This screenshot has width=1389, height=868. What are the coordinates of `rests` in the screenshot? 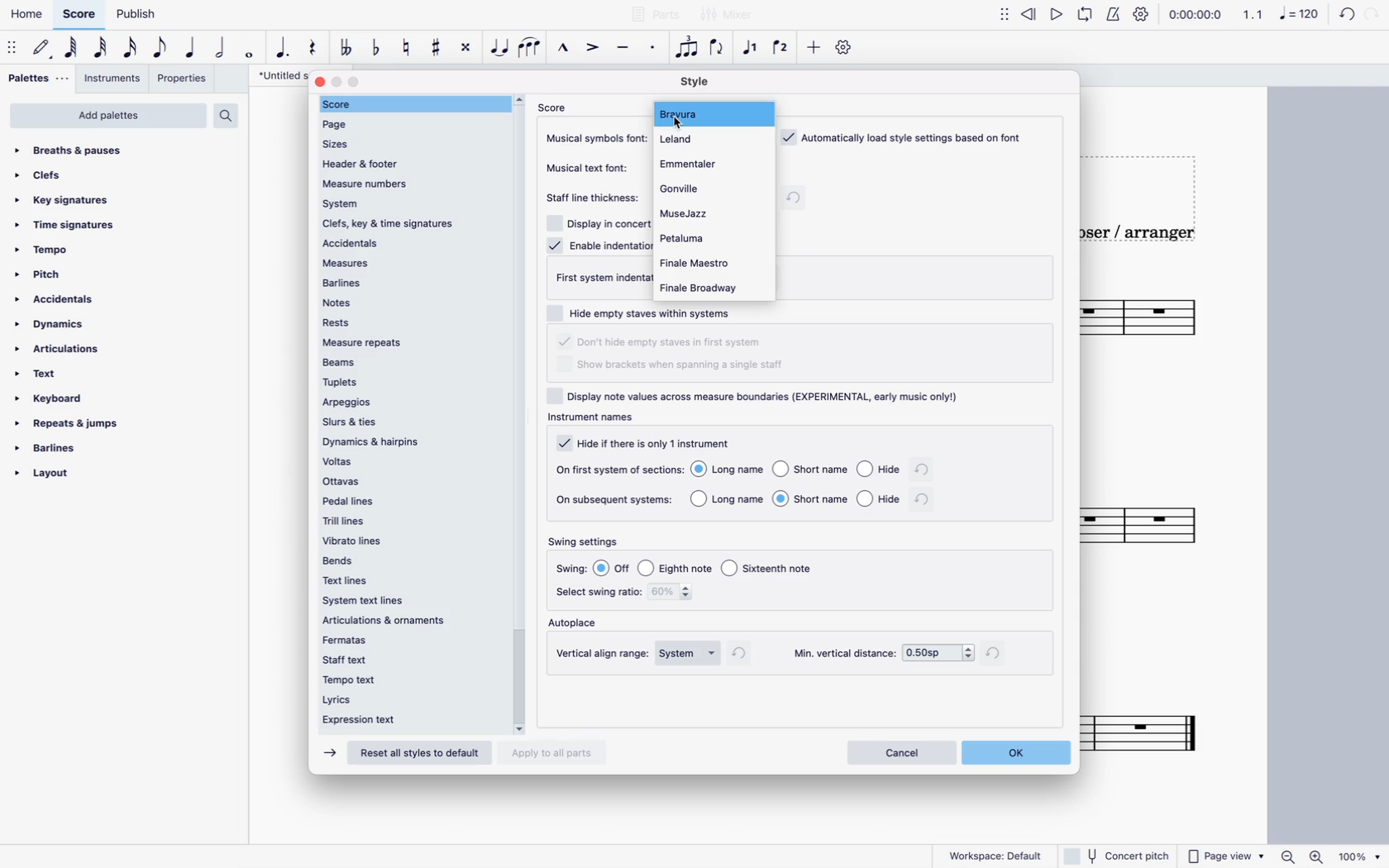 It's located at (410, 322).